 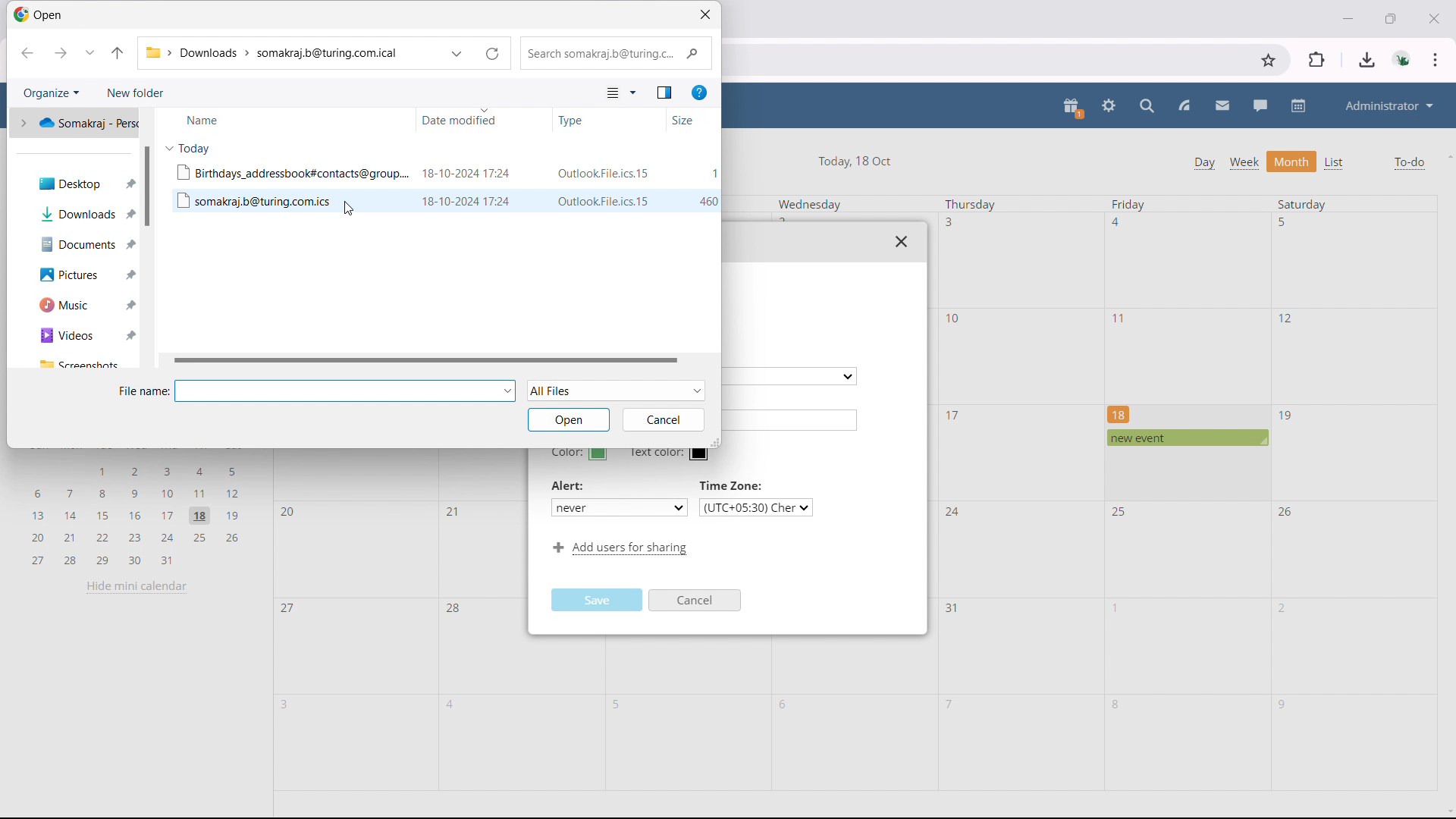 I want to click on accounts, so click(x=1404, y=59).